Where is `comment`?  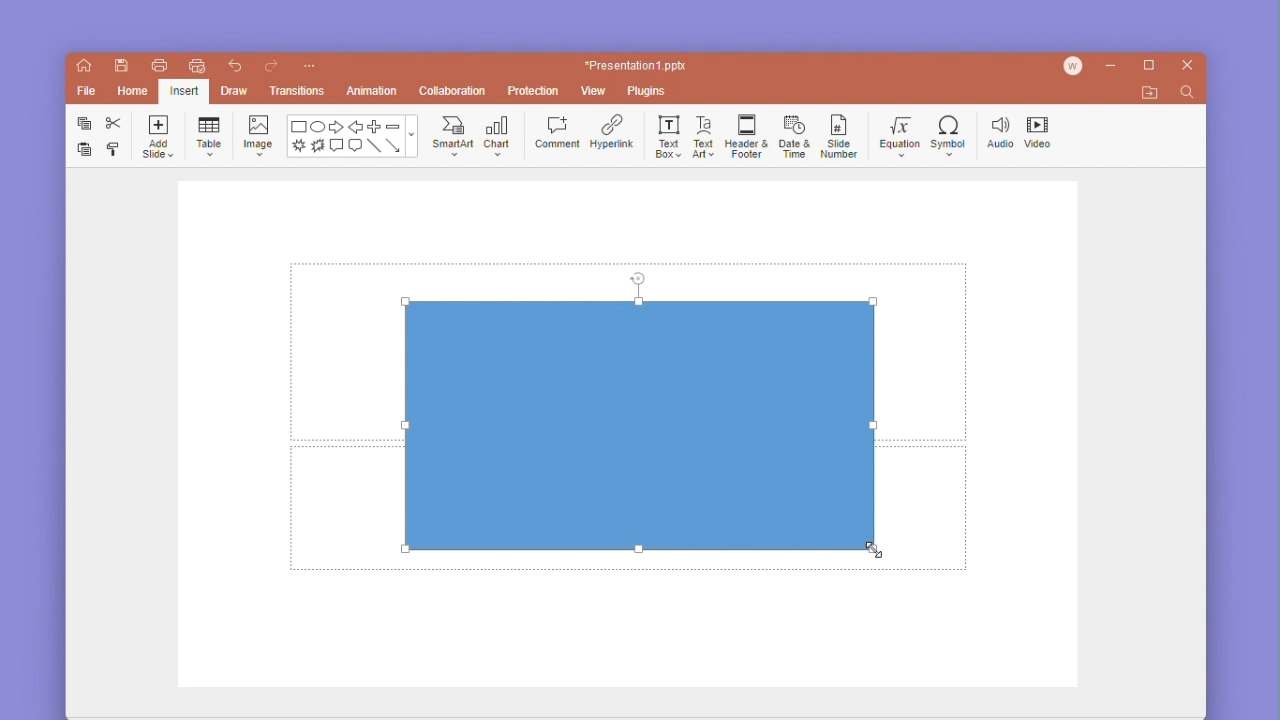 comment is located at coordinates (557, 132).